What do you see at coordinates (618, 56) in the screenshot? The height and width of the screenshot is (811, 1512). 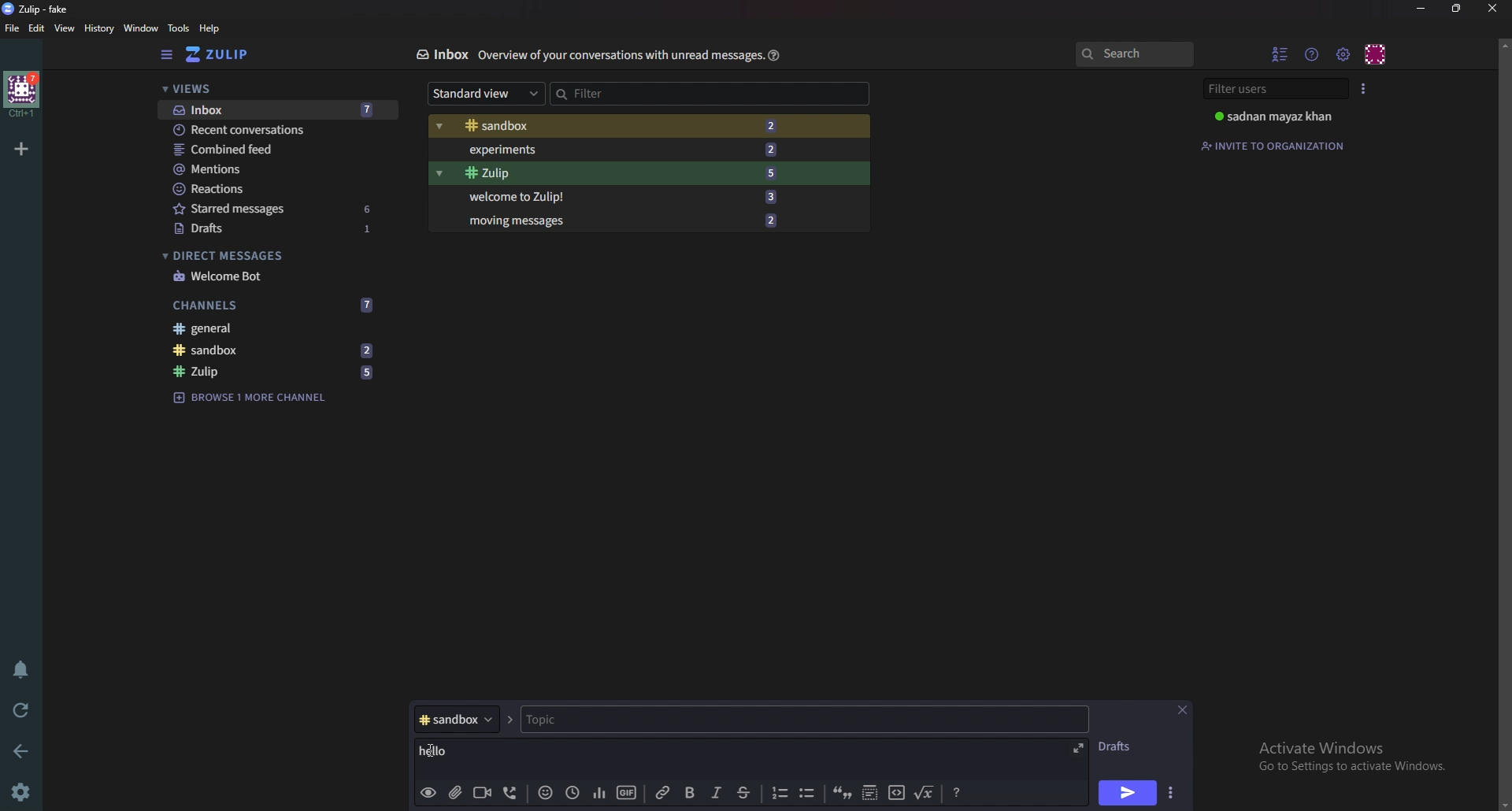 I see `overview of your conservations with unread message` at bounding box center [618, 56].